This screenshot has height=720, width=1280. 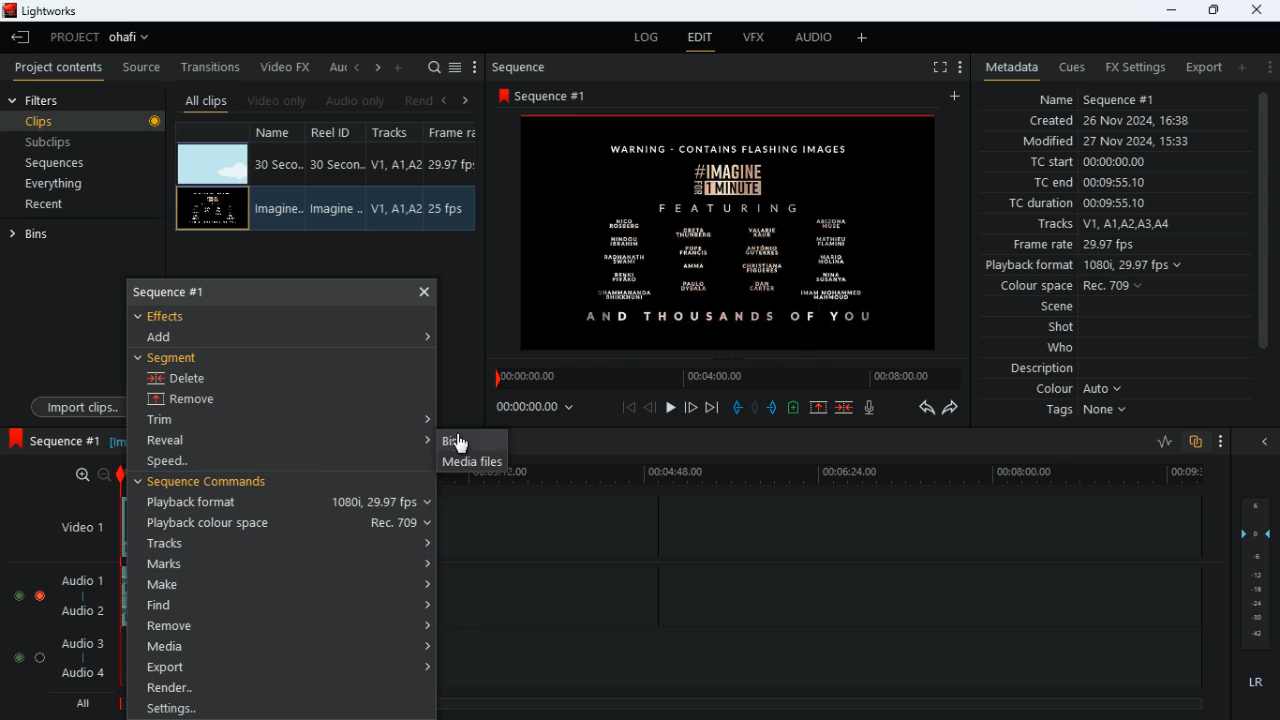 I want to click on sequence, so click(x=548, y=96).